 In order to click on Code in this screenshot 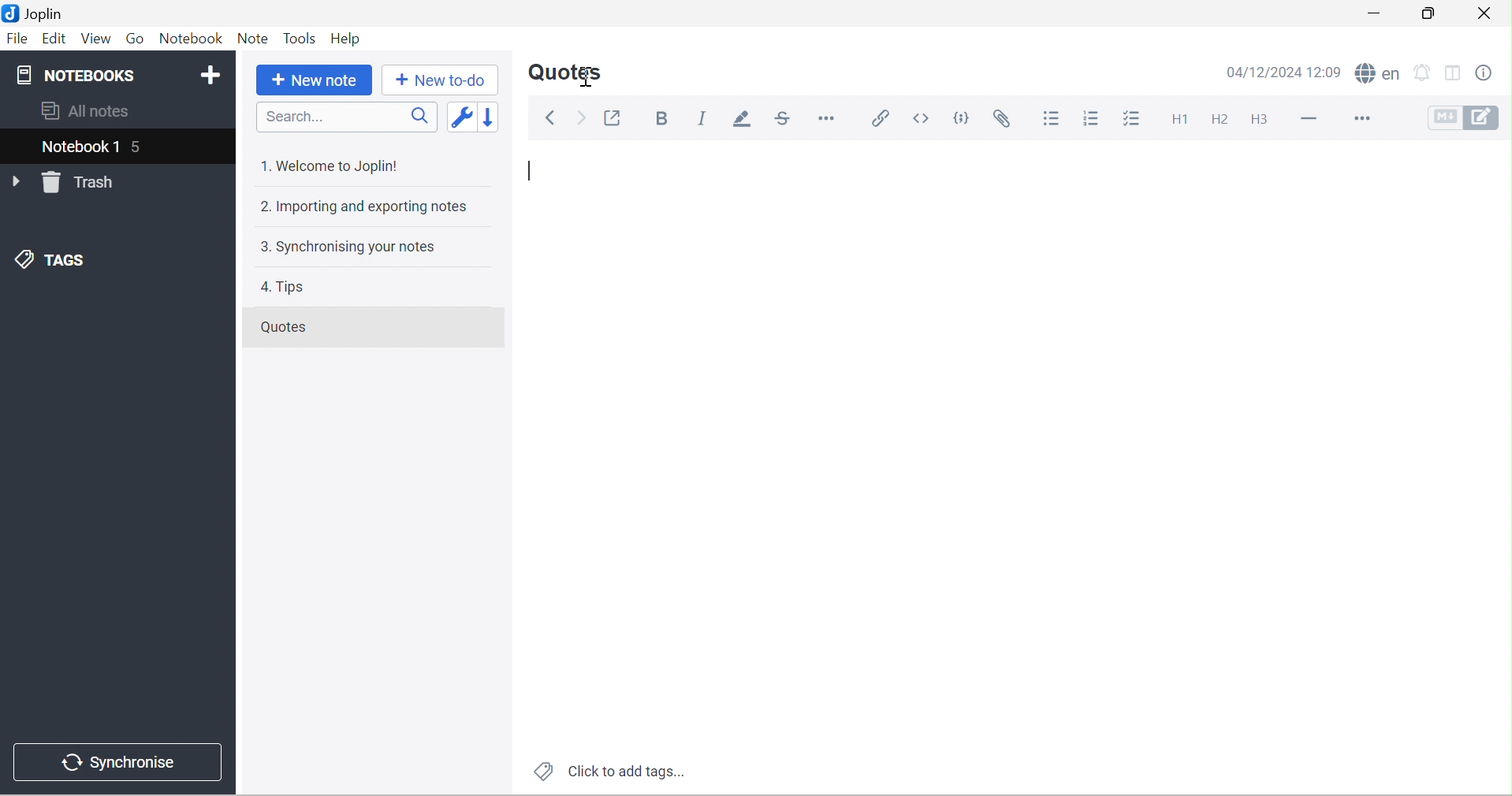, I will do `click(962, 115)`.